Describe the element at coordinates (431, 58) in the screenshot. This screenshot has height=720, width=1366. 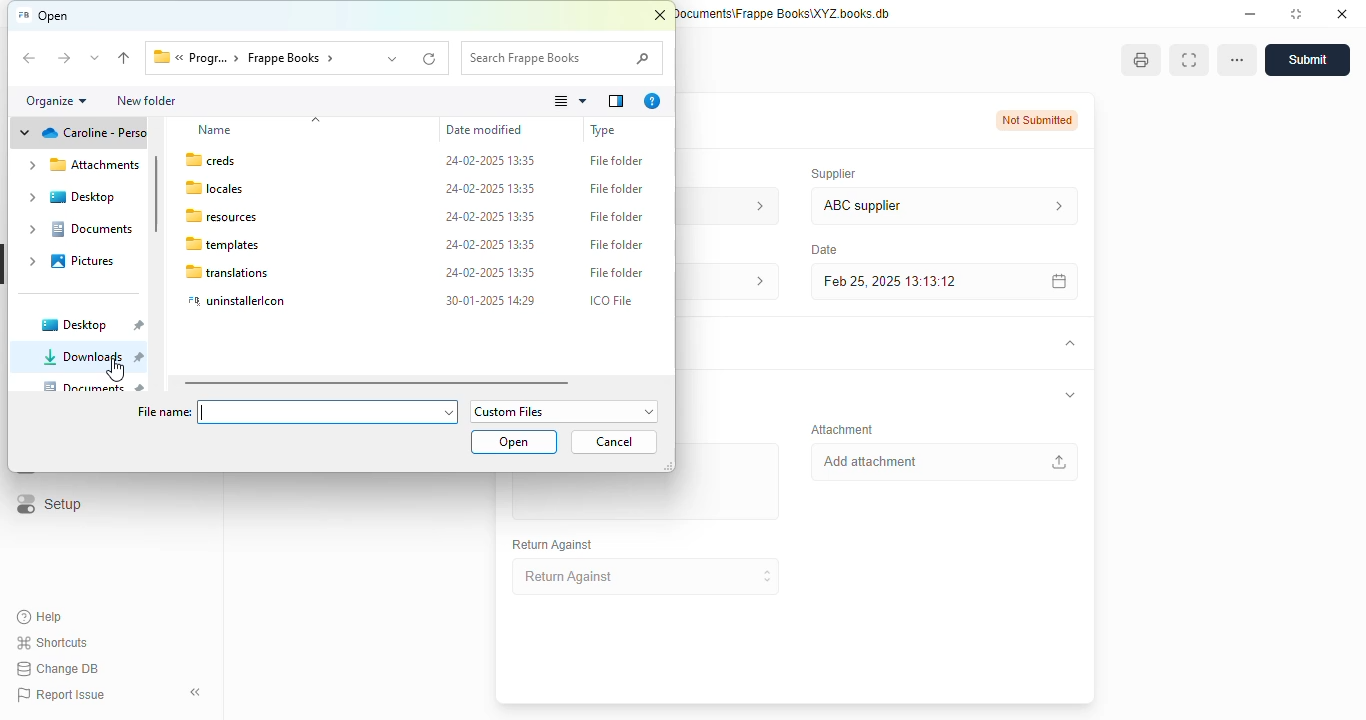
I see `refresh "program files"` at that location.